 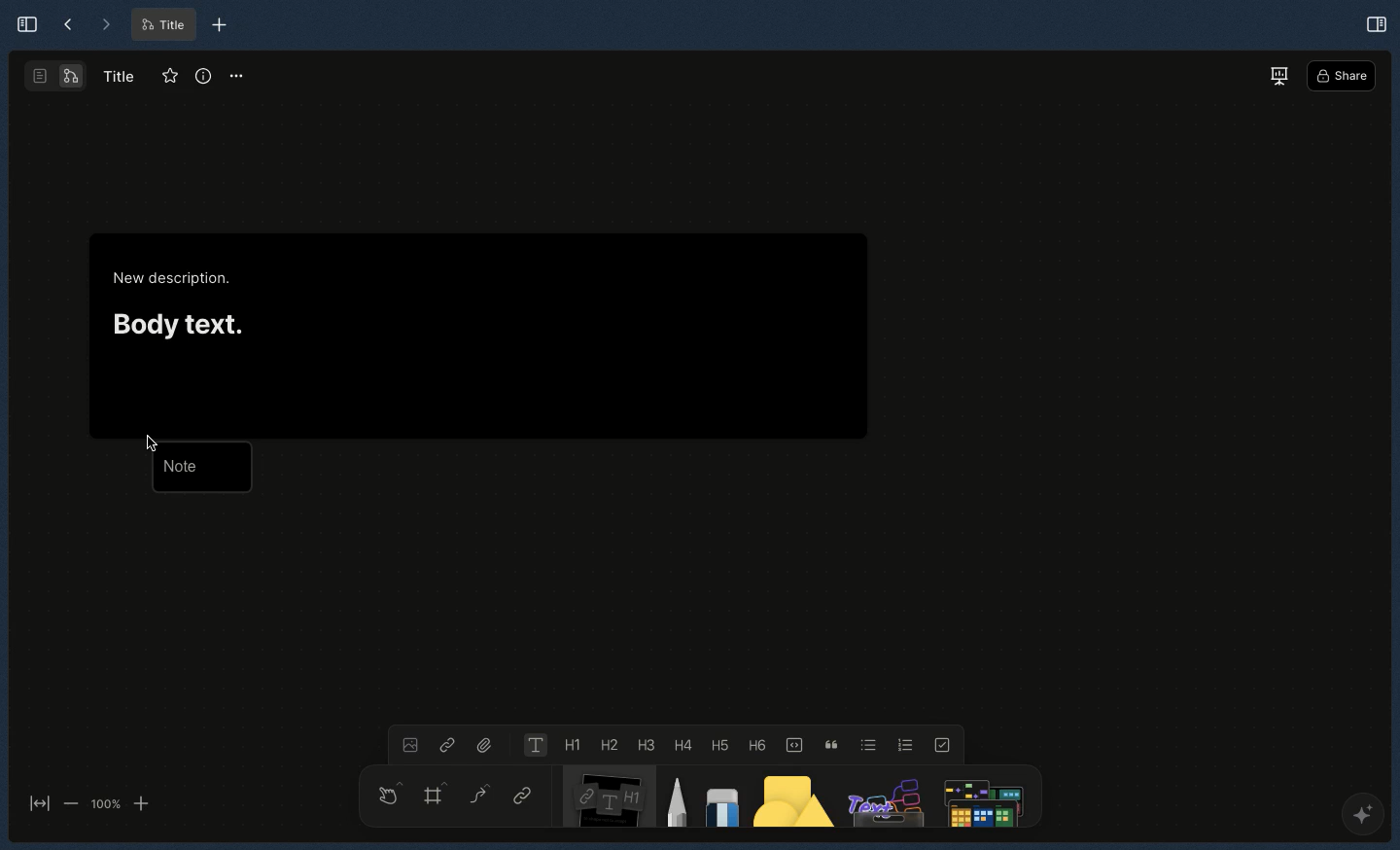 What do you see at coordinates (609, 744) in the screenshot?
I see `Heading 2` at bounding box center [609, 744].